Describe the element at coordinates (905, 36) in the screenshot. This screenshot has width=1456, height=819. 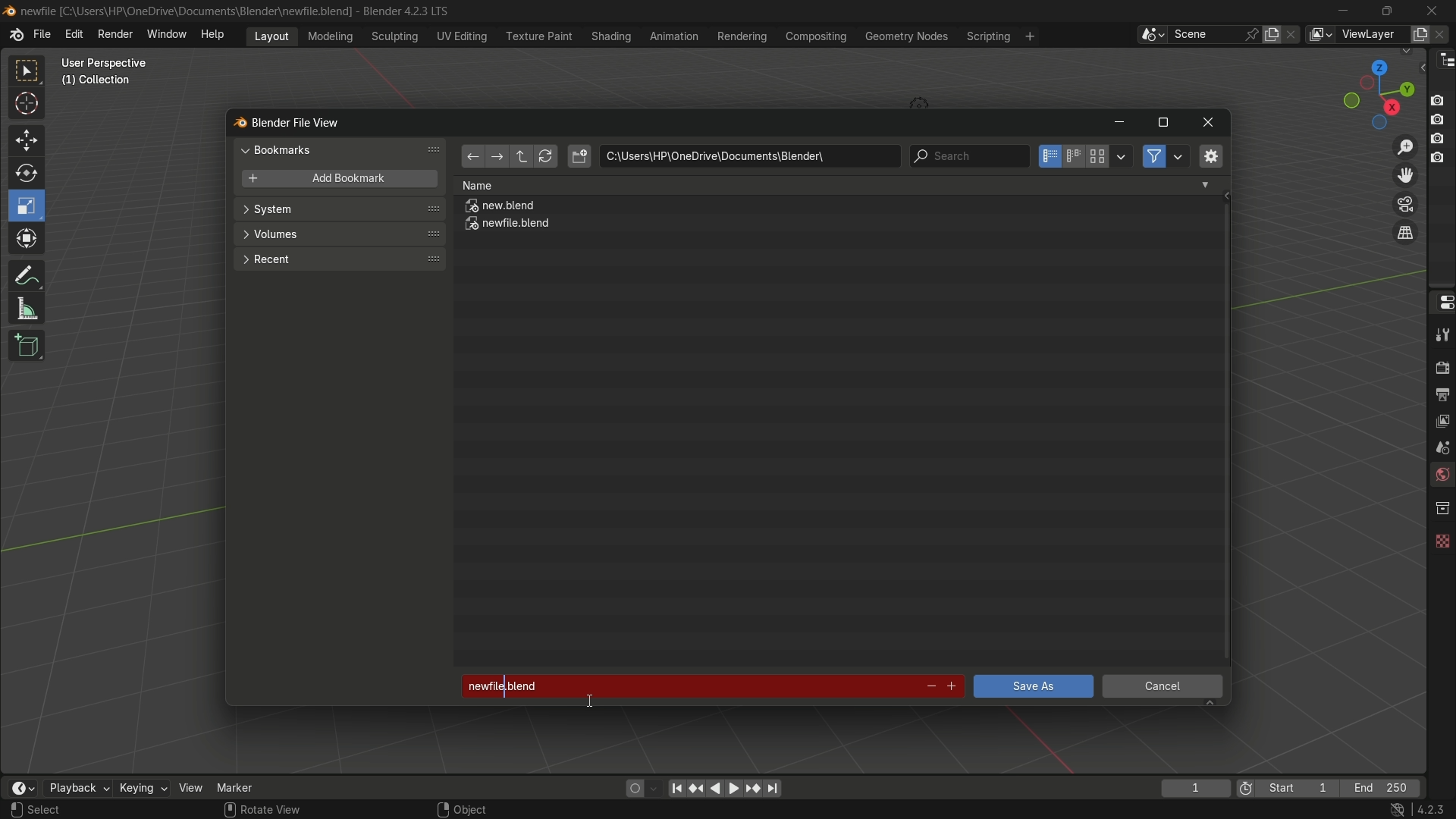
I see `geometry nodes menu` at that location.